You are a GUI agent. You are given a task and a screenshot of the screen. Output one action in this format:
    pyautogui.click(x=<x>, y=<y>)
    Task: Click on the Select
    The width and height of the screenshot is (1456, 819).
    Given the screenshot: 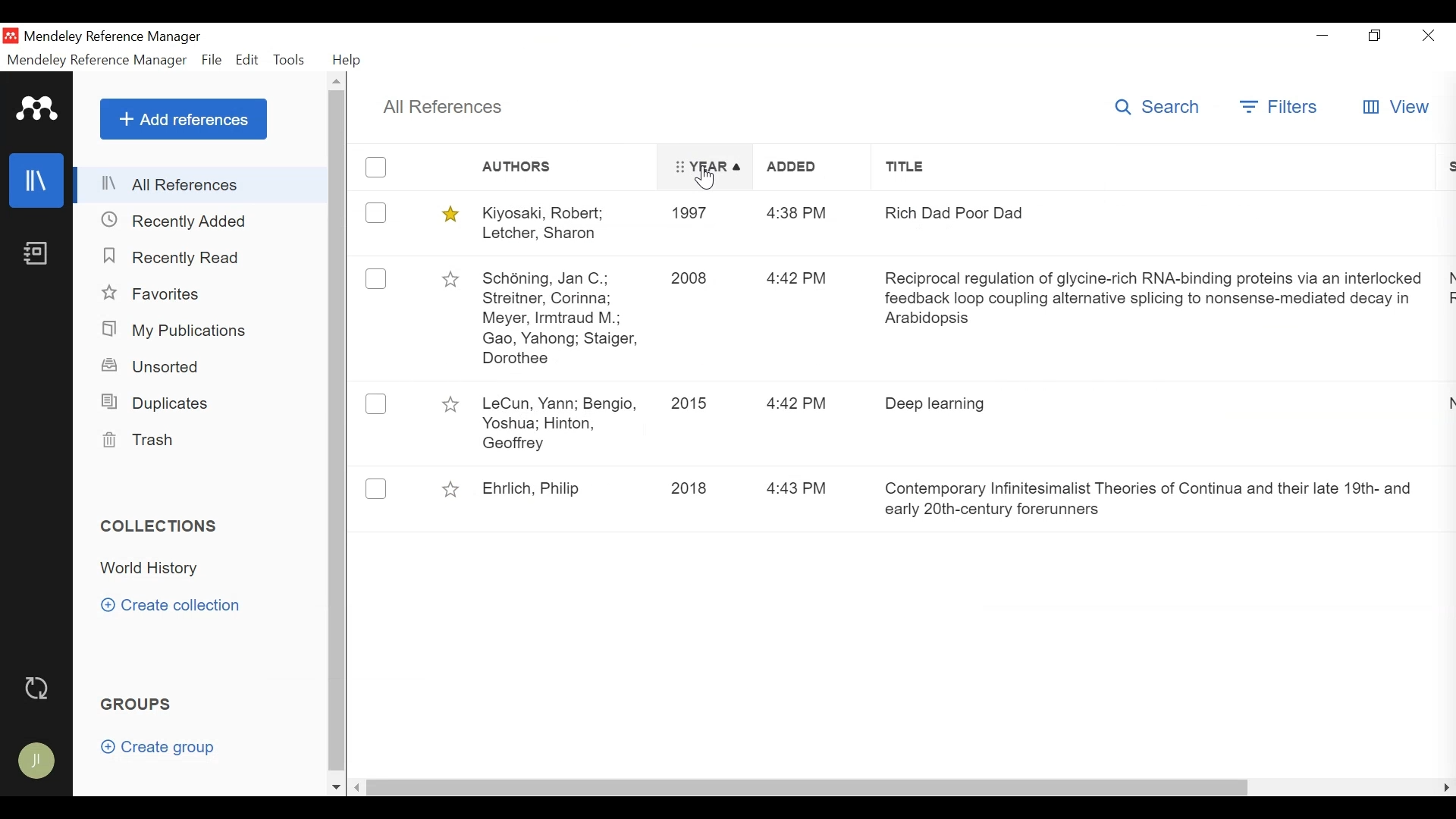 What is the action you would take?
    pyautogui.click(x=375, y=401)
    